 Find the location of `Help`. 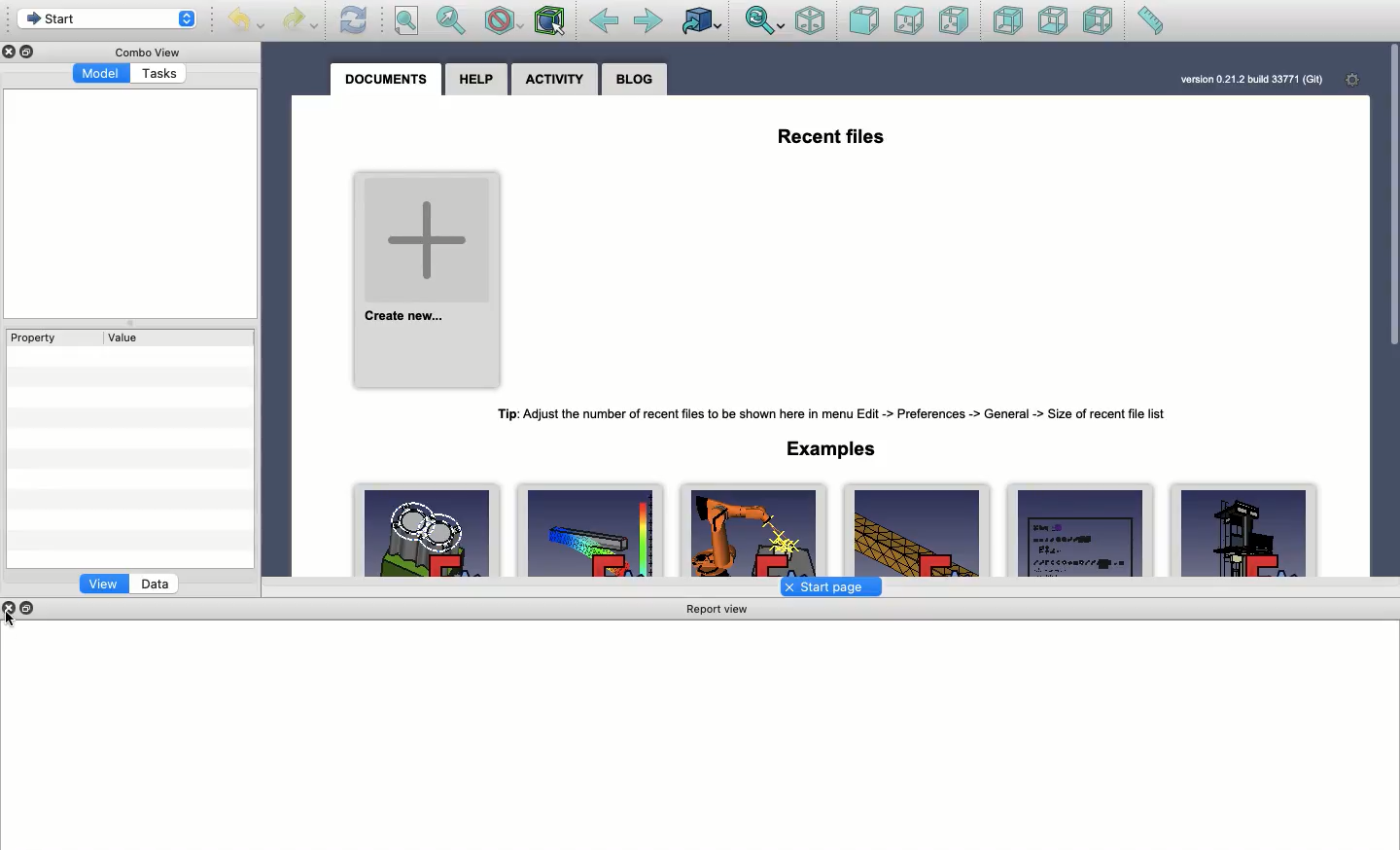

Help is located at coordinates (476, 80).